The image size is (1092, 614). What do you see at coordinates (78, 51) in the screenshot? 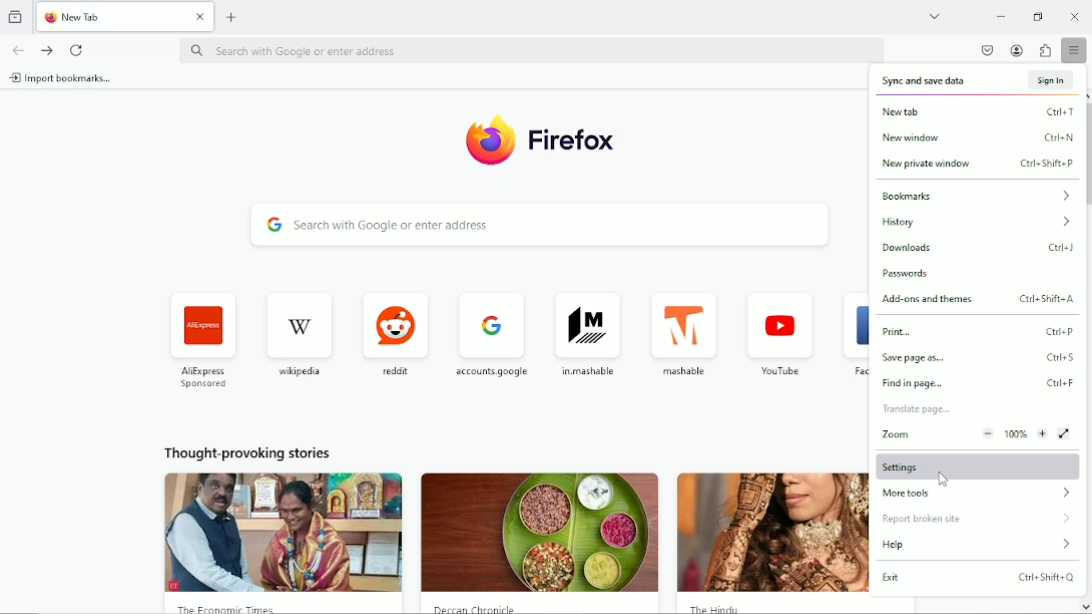
I see `reload current tab` at bounding box center [78, 51].